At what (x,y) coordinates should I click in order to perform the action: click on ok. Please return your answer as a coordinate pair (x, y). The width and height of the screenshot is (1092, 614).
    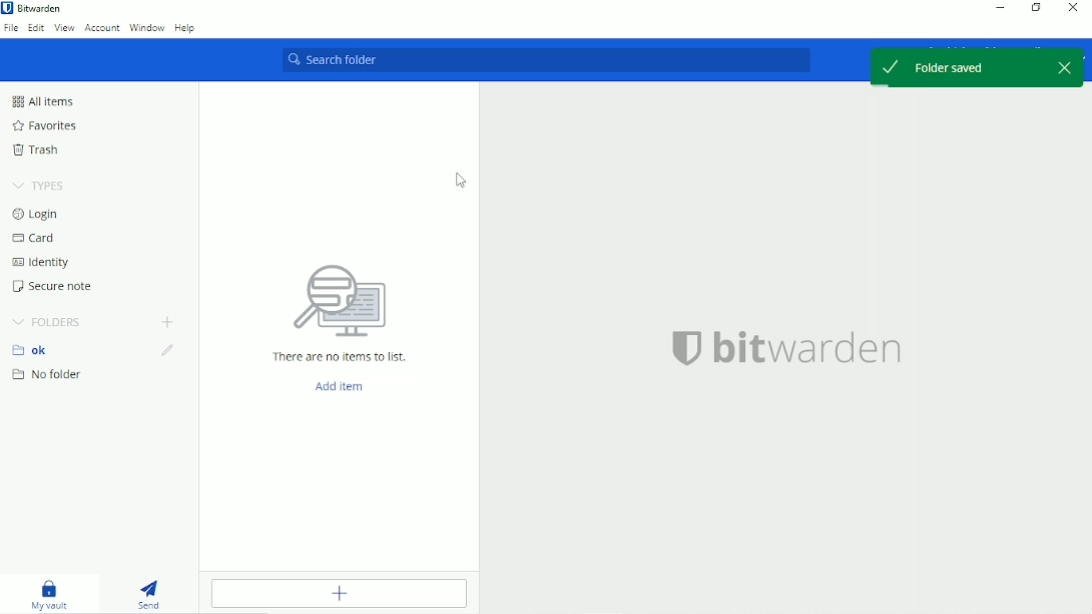
    Looking at the image, I should click on (36, 350).